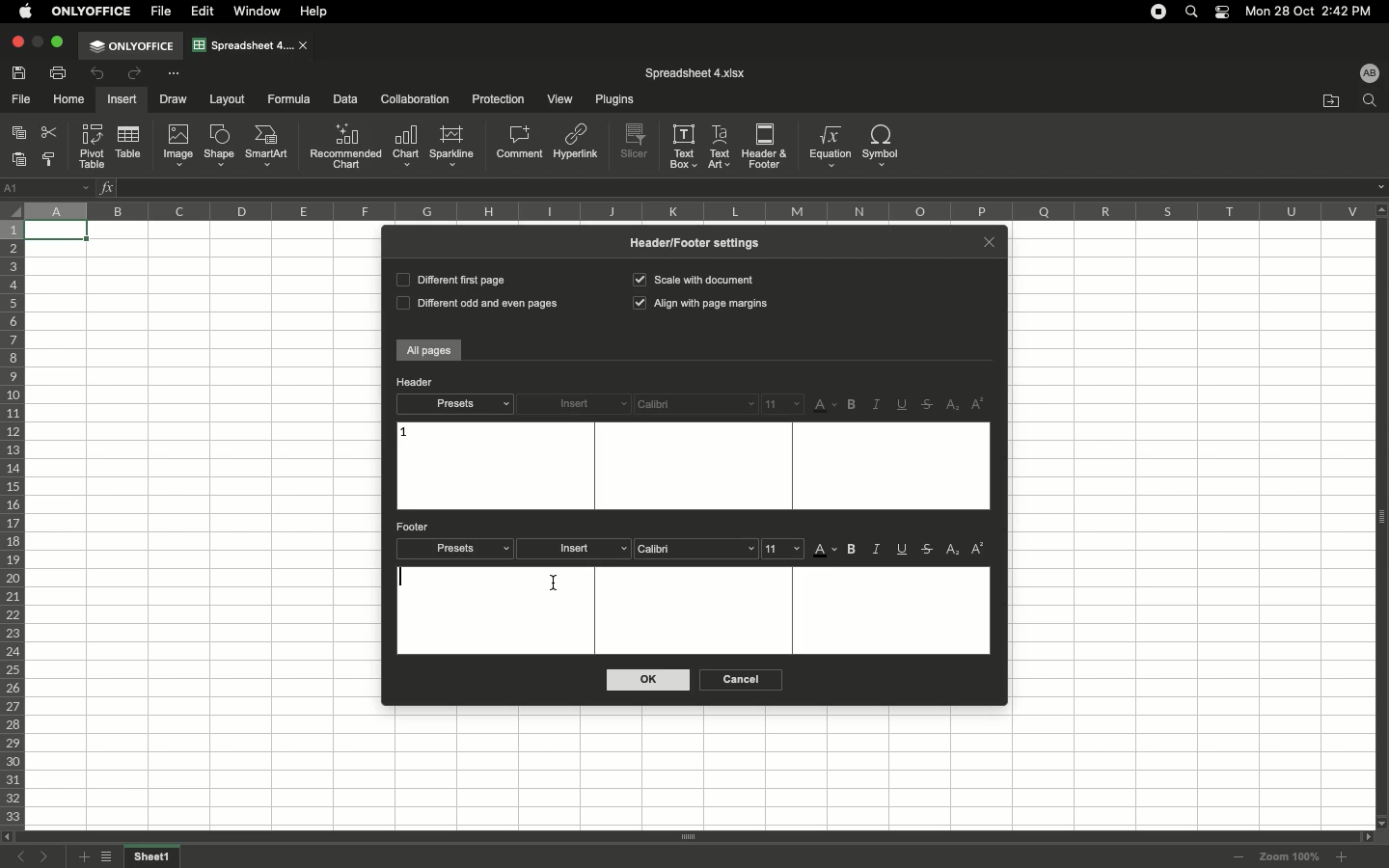  I want to click on User, so click(1369, 72).